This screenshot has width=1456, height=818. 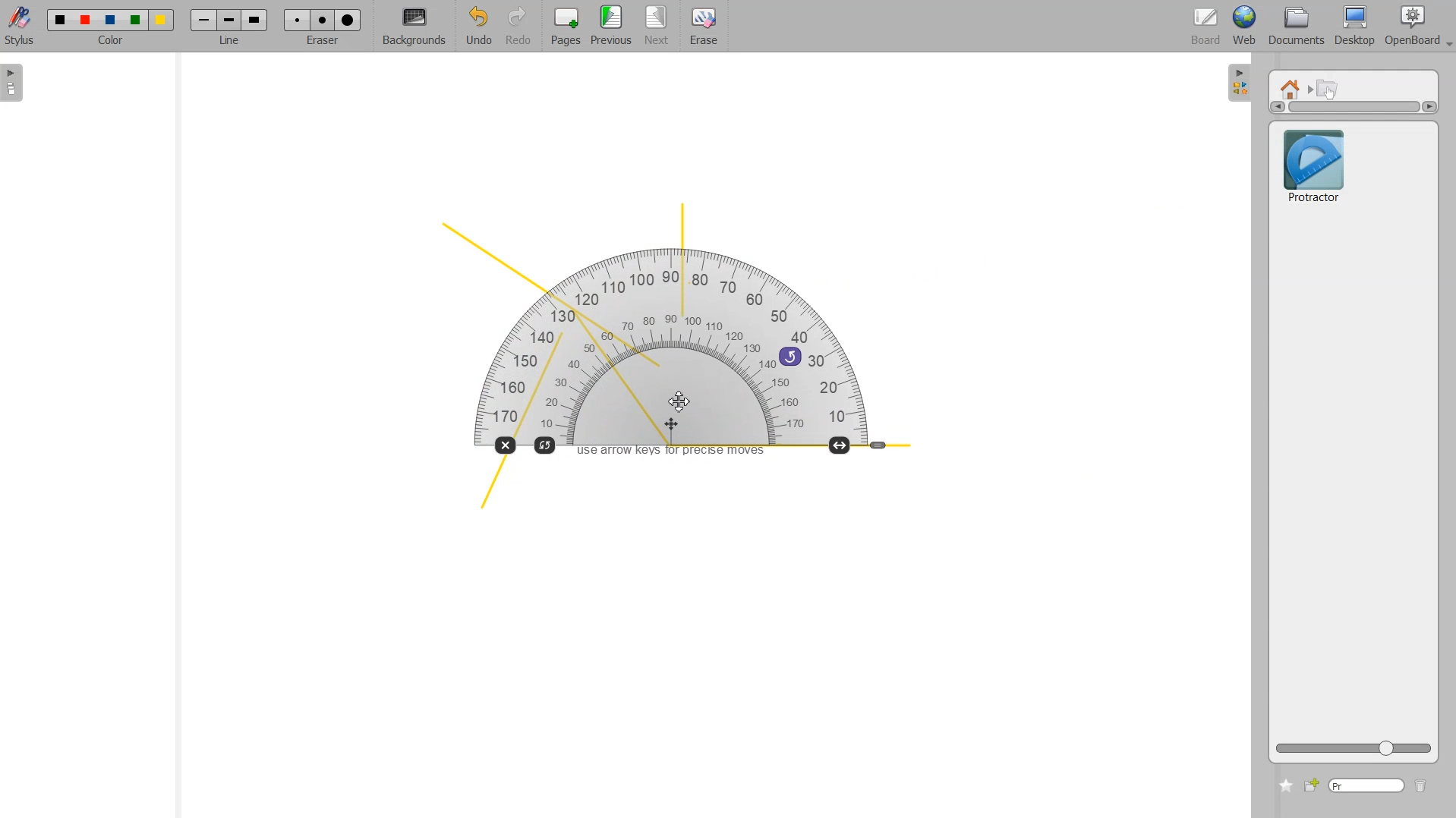 What do you see at coordinates (111, 20) in the screenshot?
I see `Color` at bounding box center [111, 20].